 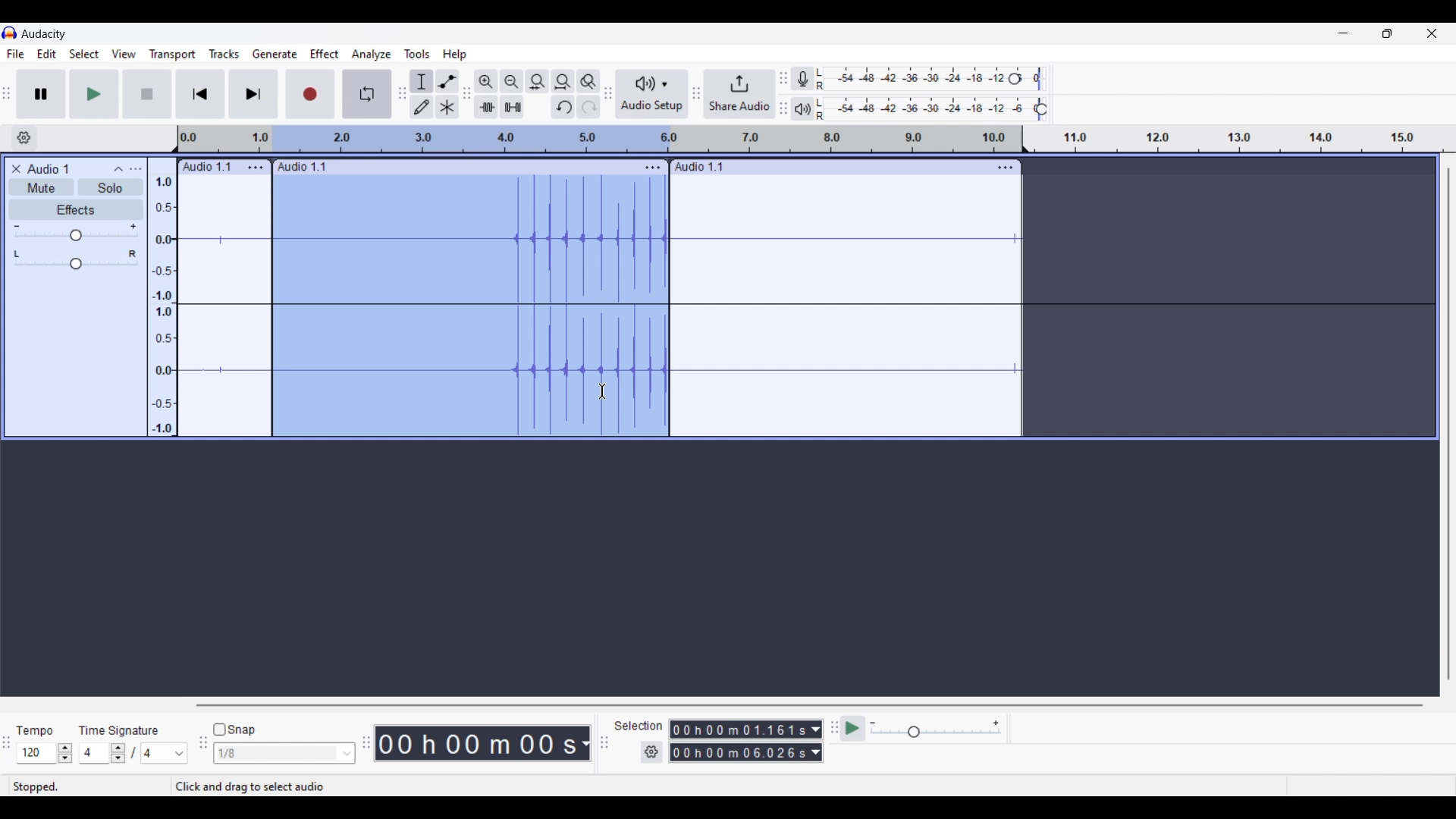 I want to click on Timeline options, so click(x=24, y=138).